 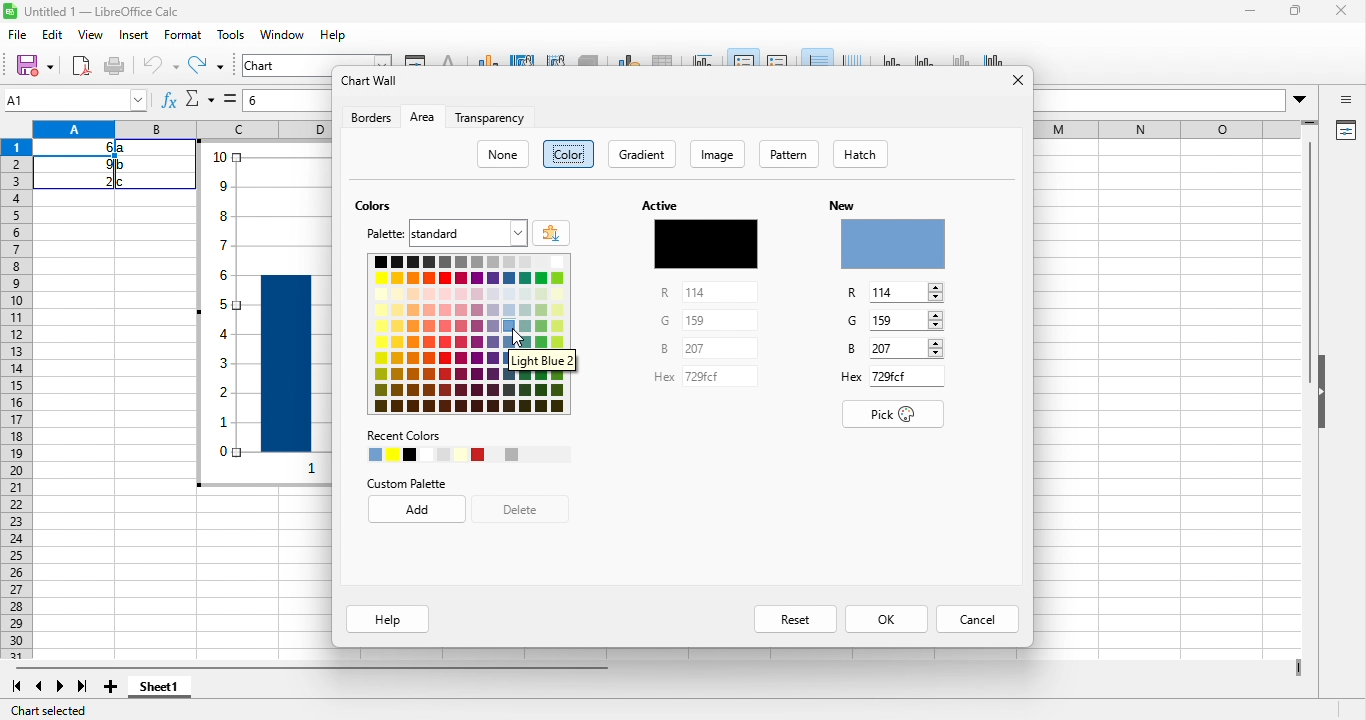 I want to click on cursor, so click(x=521, y=338).